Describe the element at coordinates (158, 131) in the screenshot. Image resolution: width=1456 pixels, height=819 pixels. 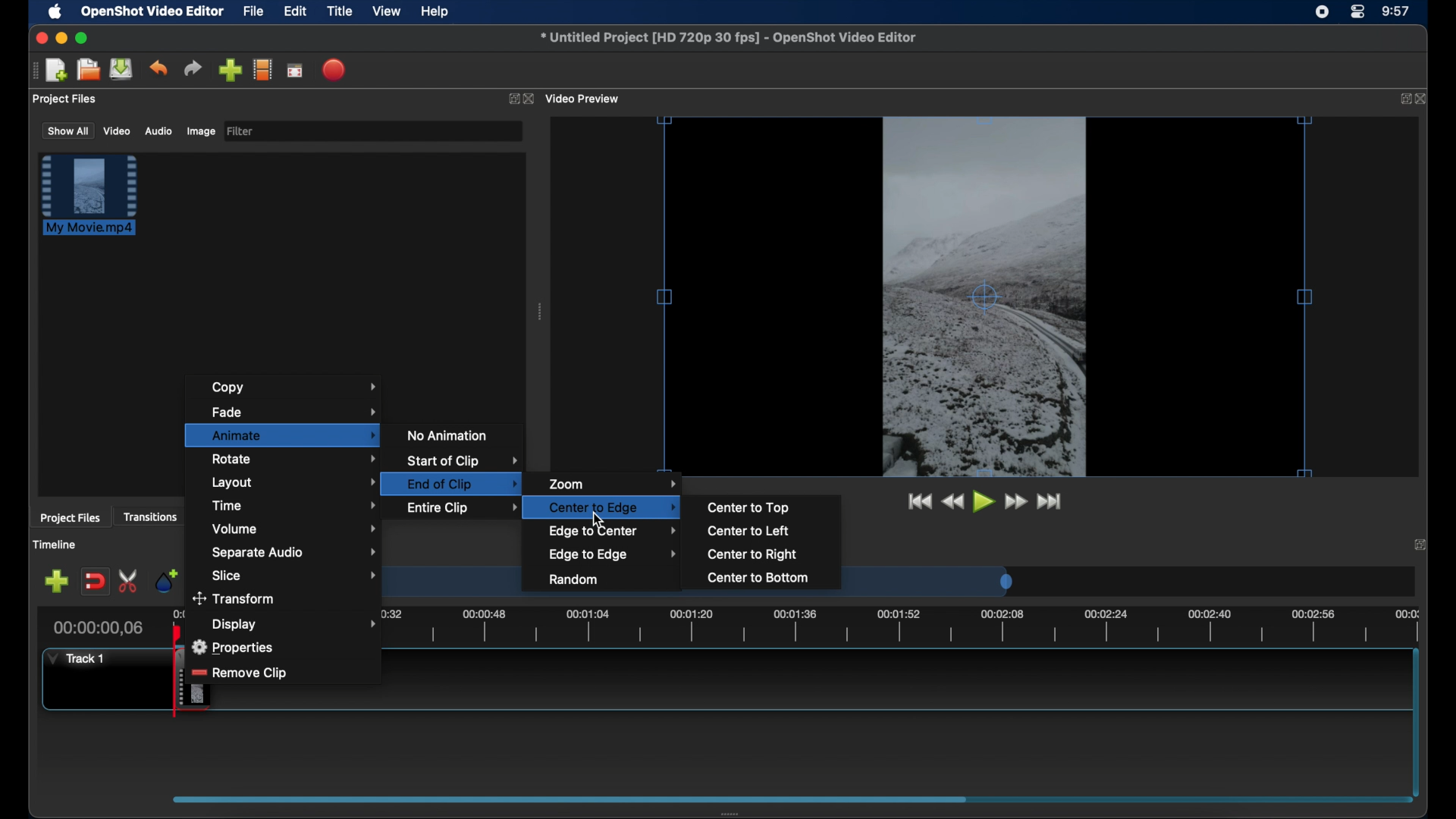
I see `audio` at that location.